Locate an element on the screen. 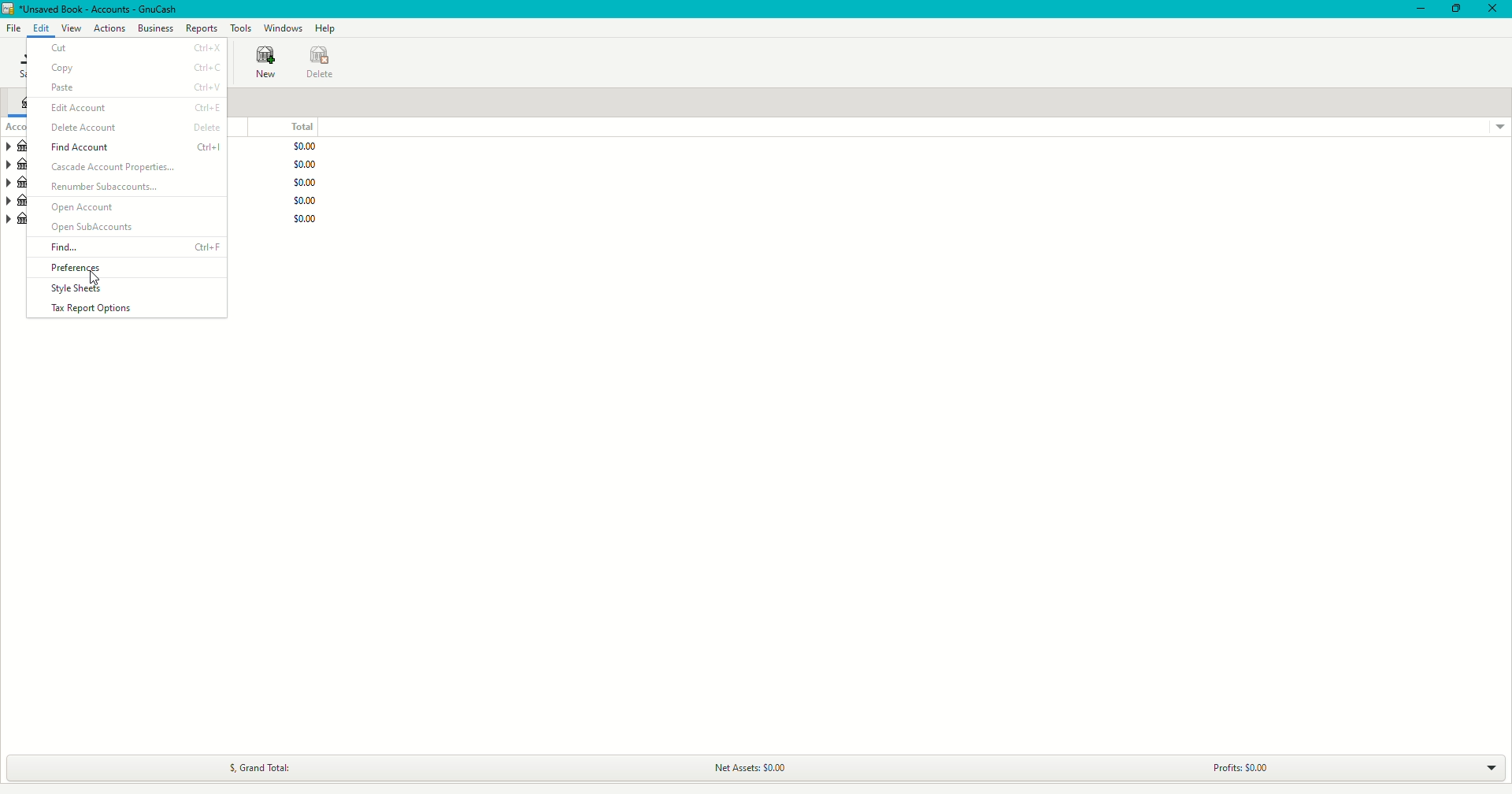  Restore is located at coordinates (1456, 9).